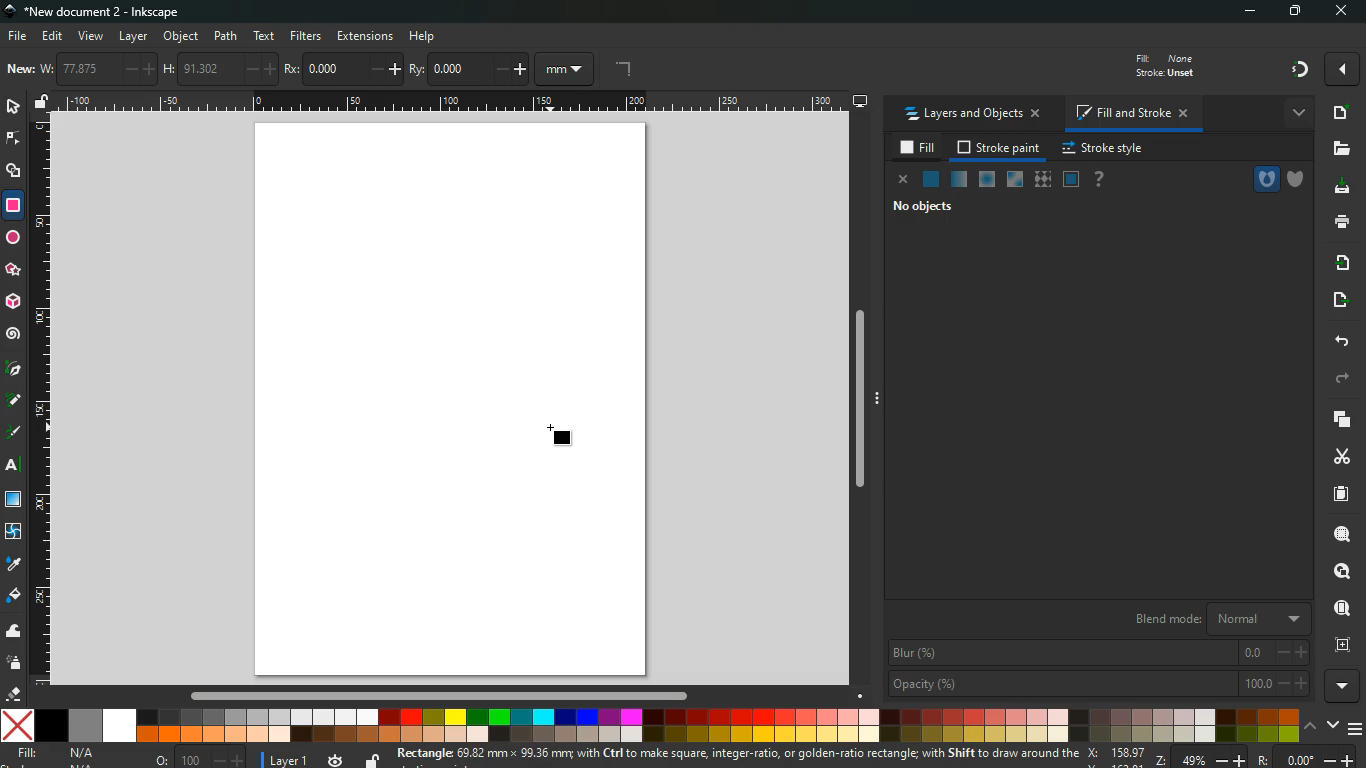 The image size is (1366, 768). What do you see at coordinates (426, 37) in the screenshot?
I see `help` at bounding box center [426, 37].